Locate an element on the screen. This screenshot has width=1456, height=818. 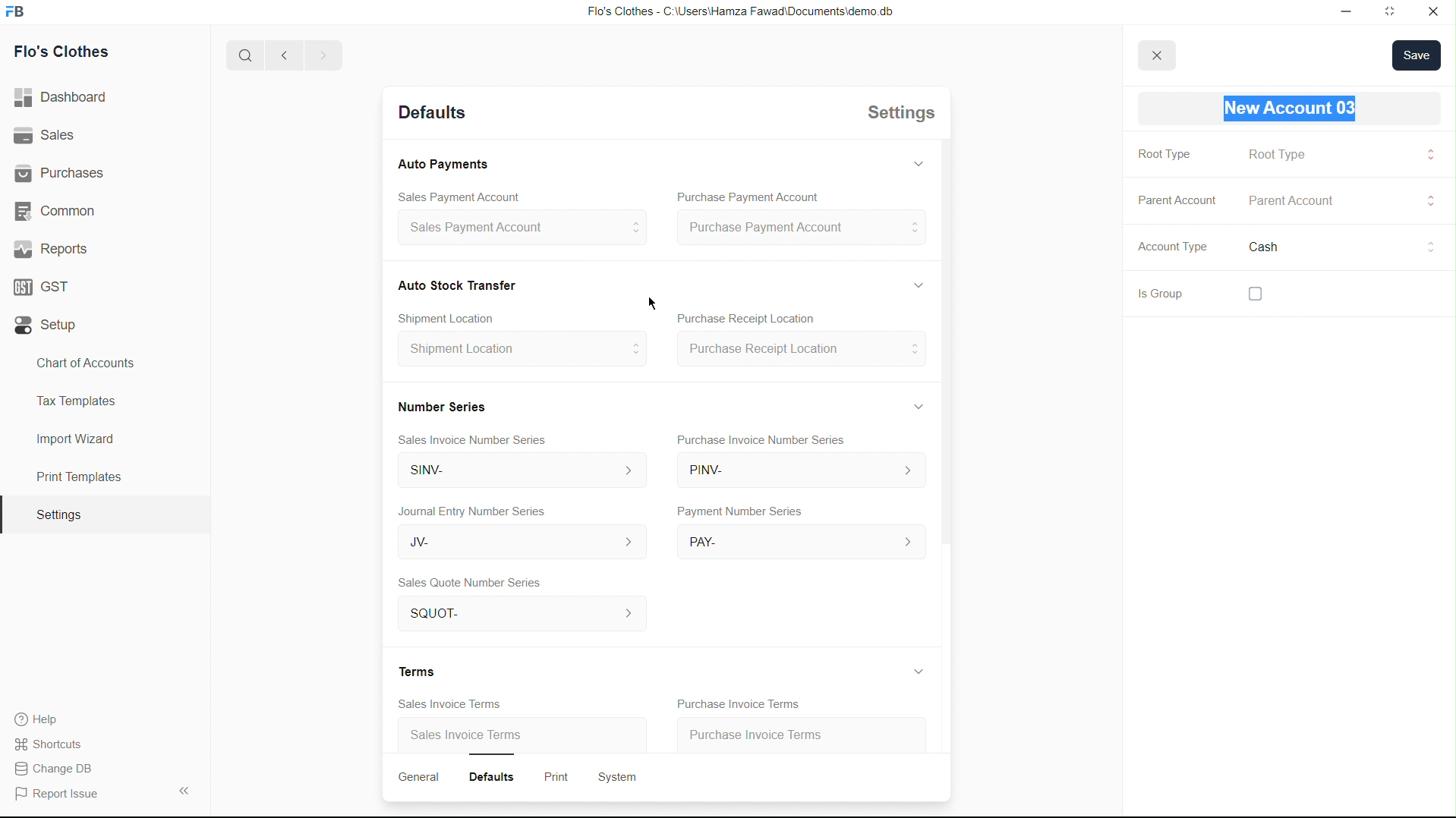
Settings is located at coordinates (58, 515).